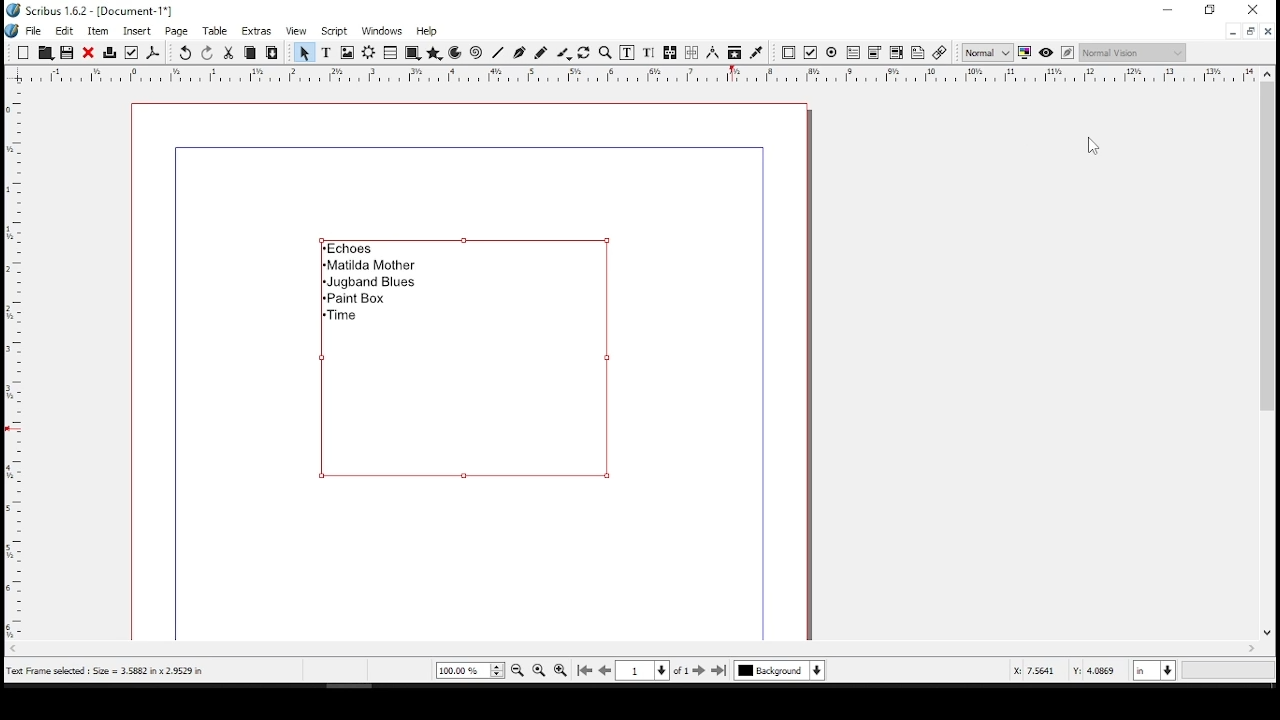 This screenshot has height=720, width=1280. Describe the element at coordinates (45, 52) in the screenshot. I see `` at that location.